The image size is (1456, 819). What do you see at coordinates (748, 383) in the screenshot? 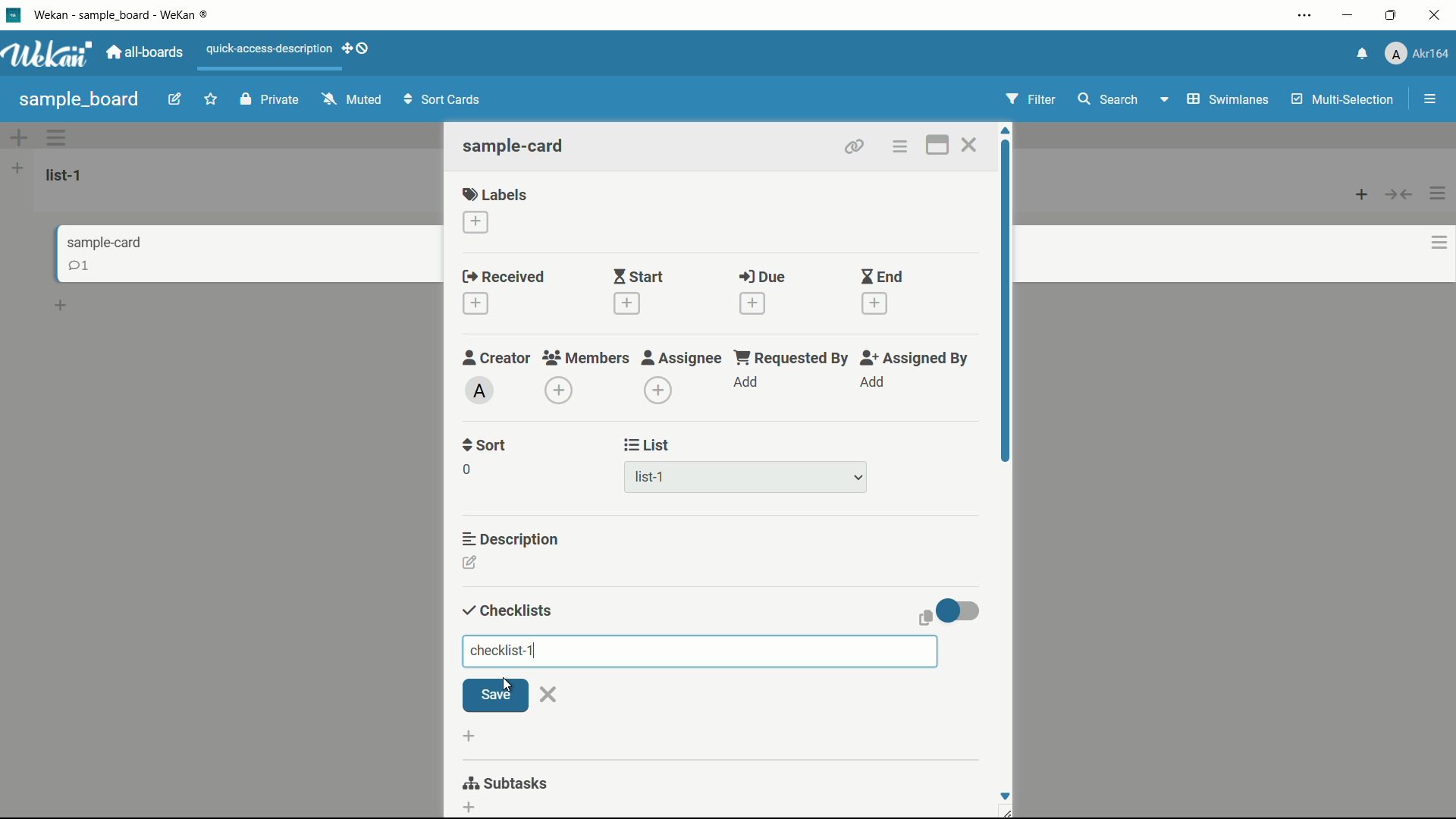
I see `add` at bounding box center [748, 383].